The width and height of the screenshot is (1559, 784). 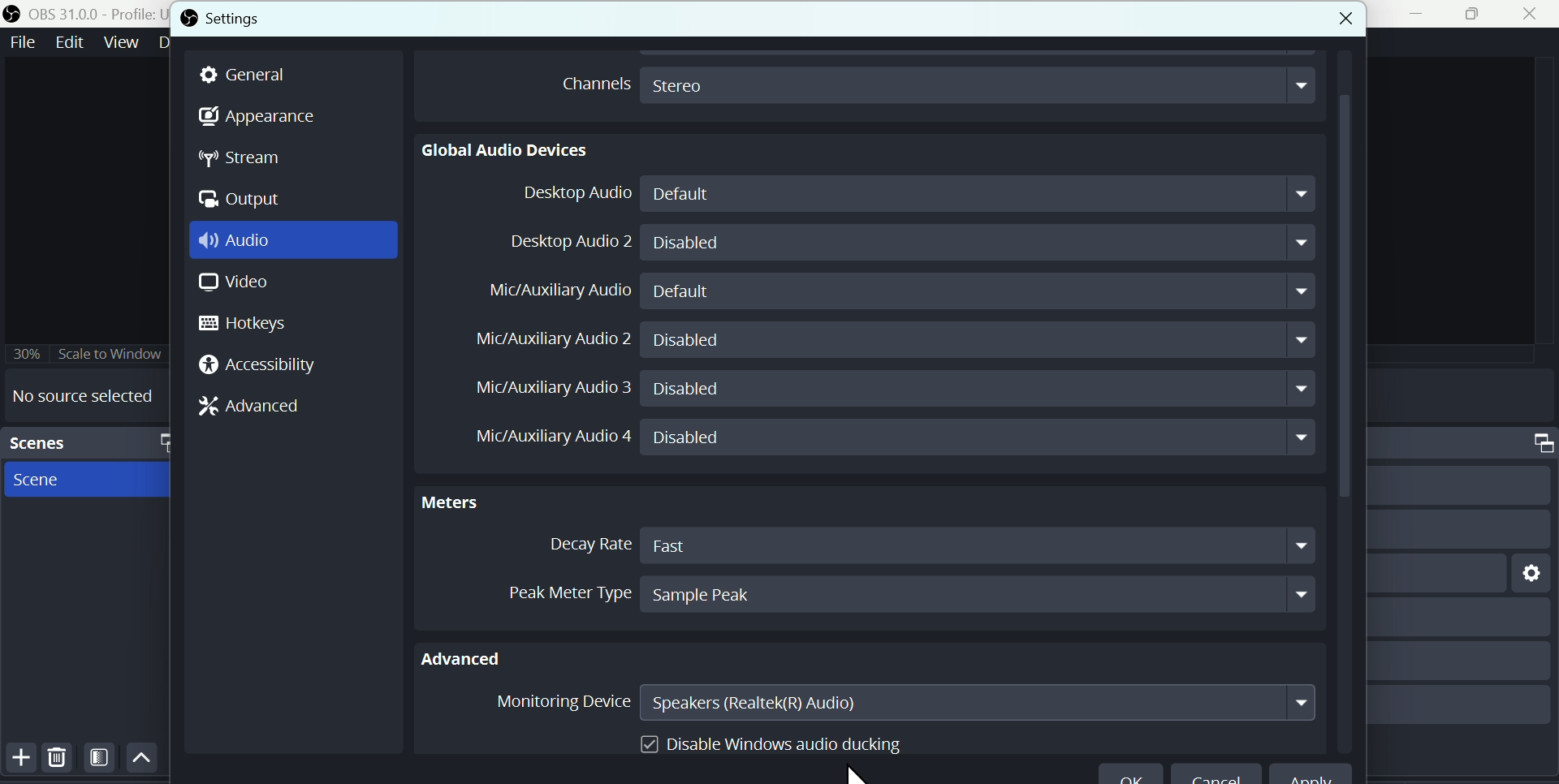 I want to click on Mic/Auxiliary Audio 2, so click(x=551, y=337).